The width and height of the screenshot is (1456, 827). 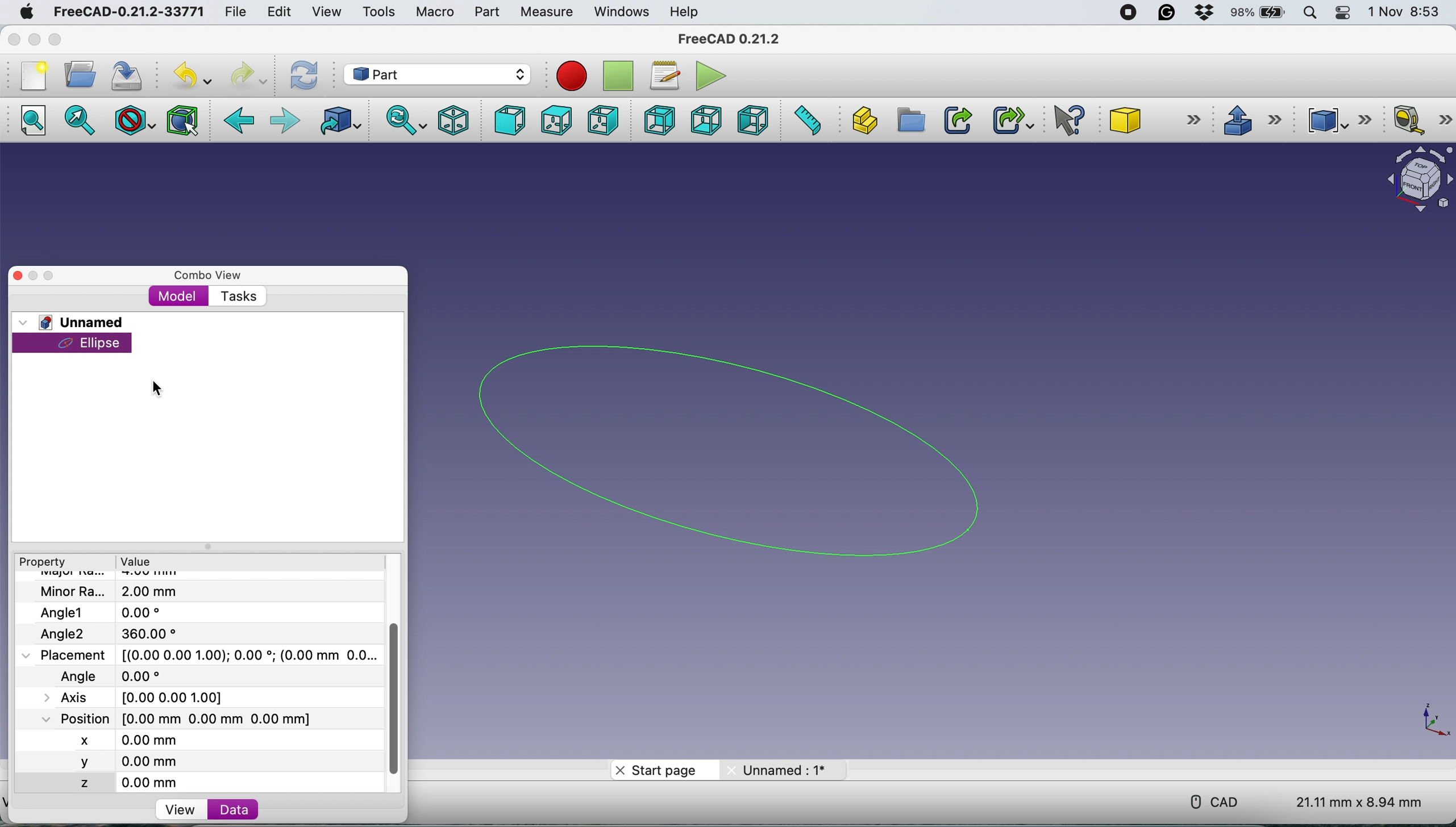 I want to click on macros, so click(x=664, y=74).